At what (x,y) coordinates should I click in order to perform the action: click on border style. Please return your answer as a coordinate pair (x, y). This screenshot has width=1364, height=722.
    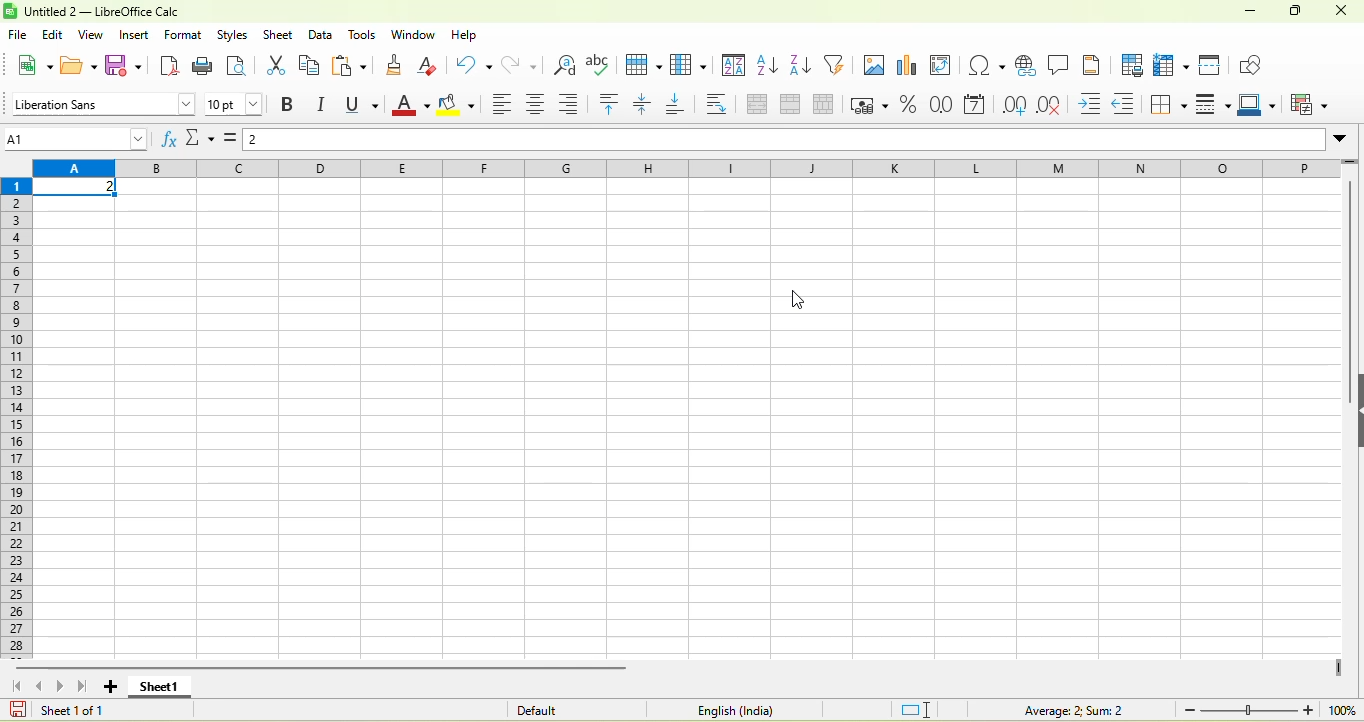
    Looking at the image, I should click on (1211, 105).